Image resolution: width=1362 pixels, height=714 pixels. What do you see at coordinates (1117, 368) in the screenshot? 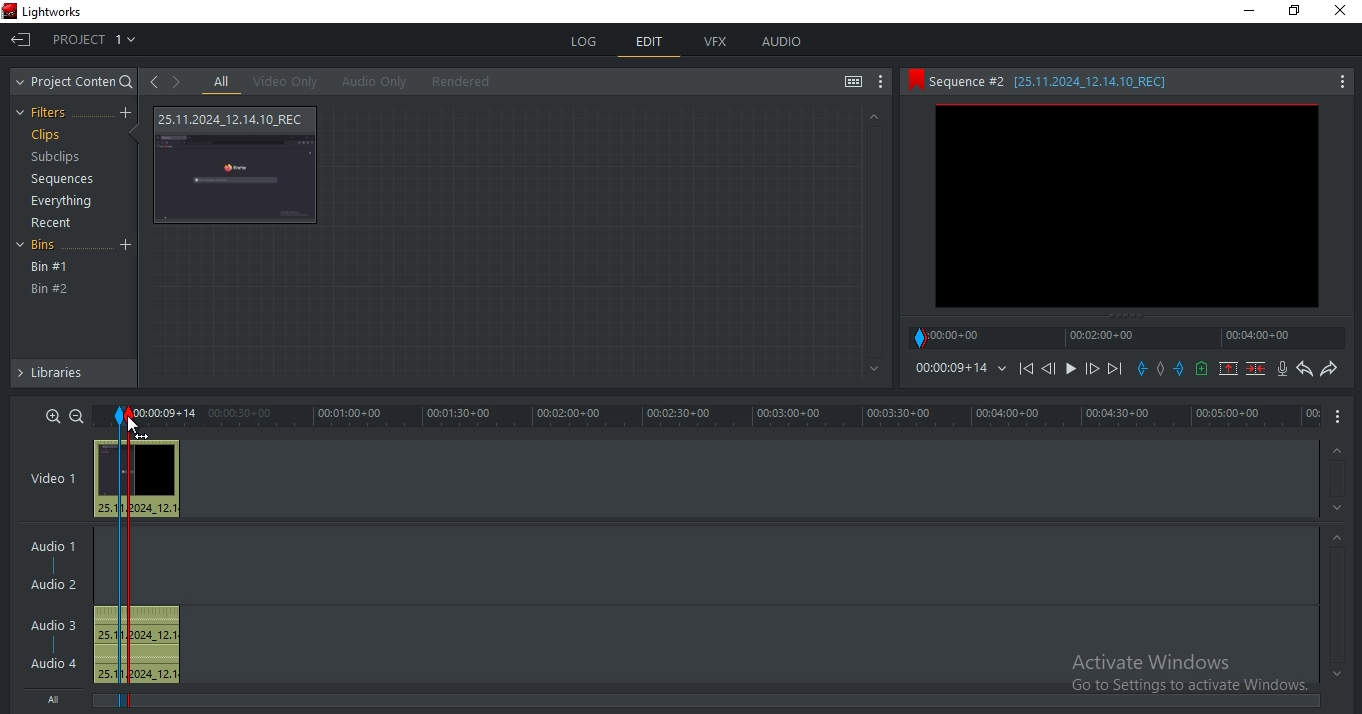
I see `Next` at bounding box center [1117, 368].